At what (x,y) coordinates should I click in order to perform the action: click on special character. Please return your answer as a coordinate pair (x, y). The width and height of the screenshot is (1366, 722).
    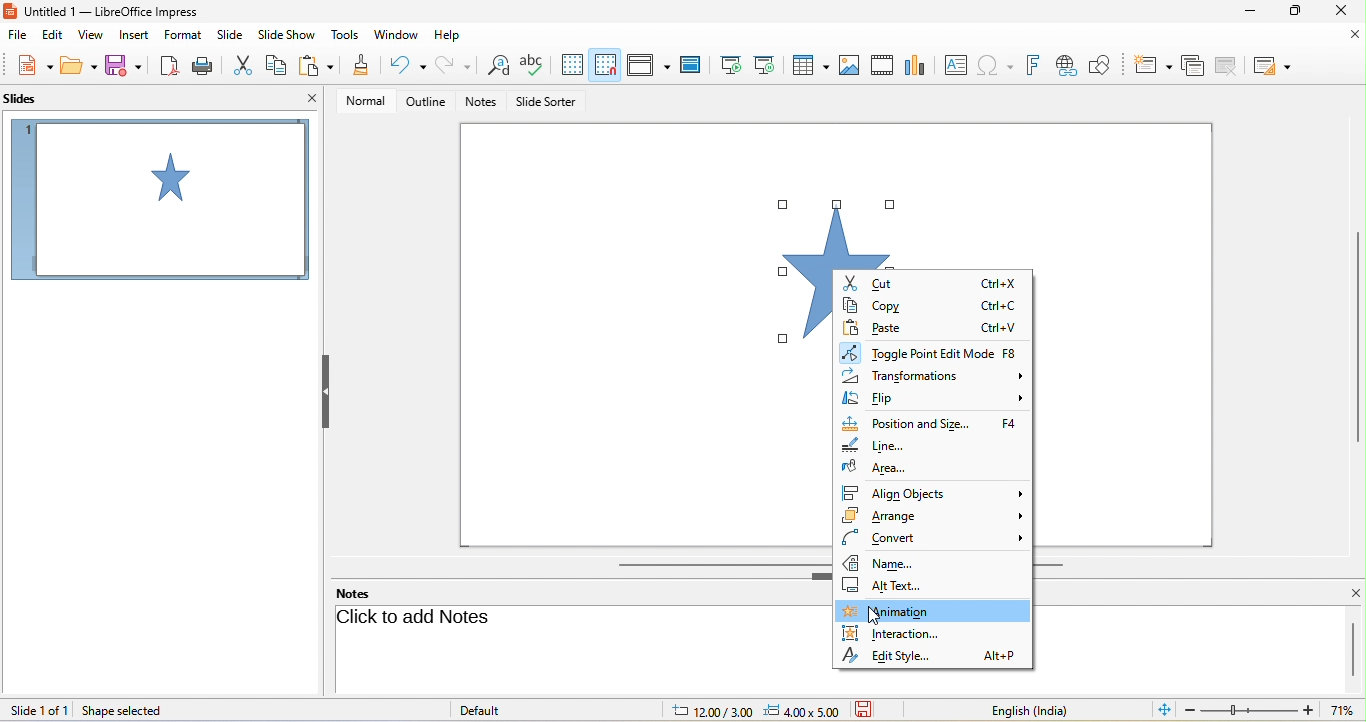
    Looking at the image, I should click on (994, 65).